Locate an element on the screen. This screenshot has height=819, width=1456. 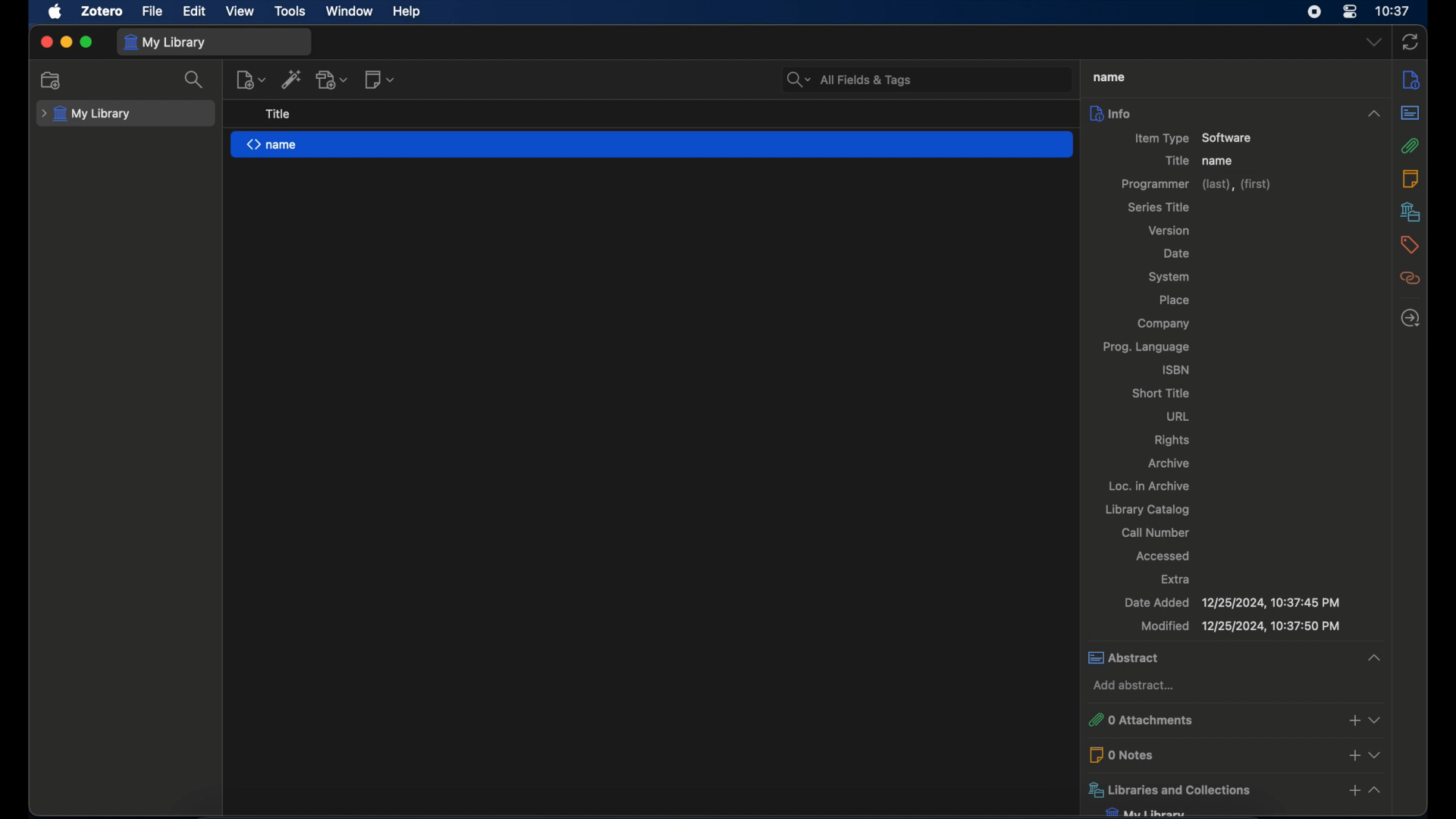
series title  is located at coordinates (1157, 207).